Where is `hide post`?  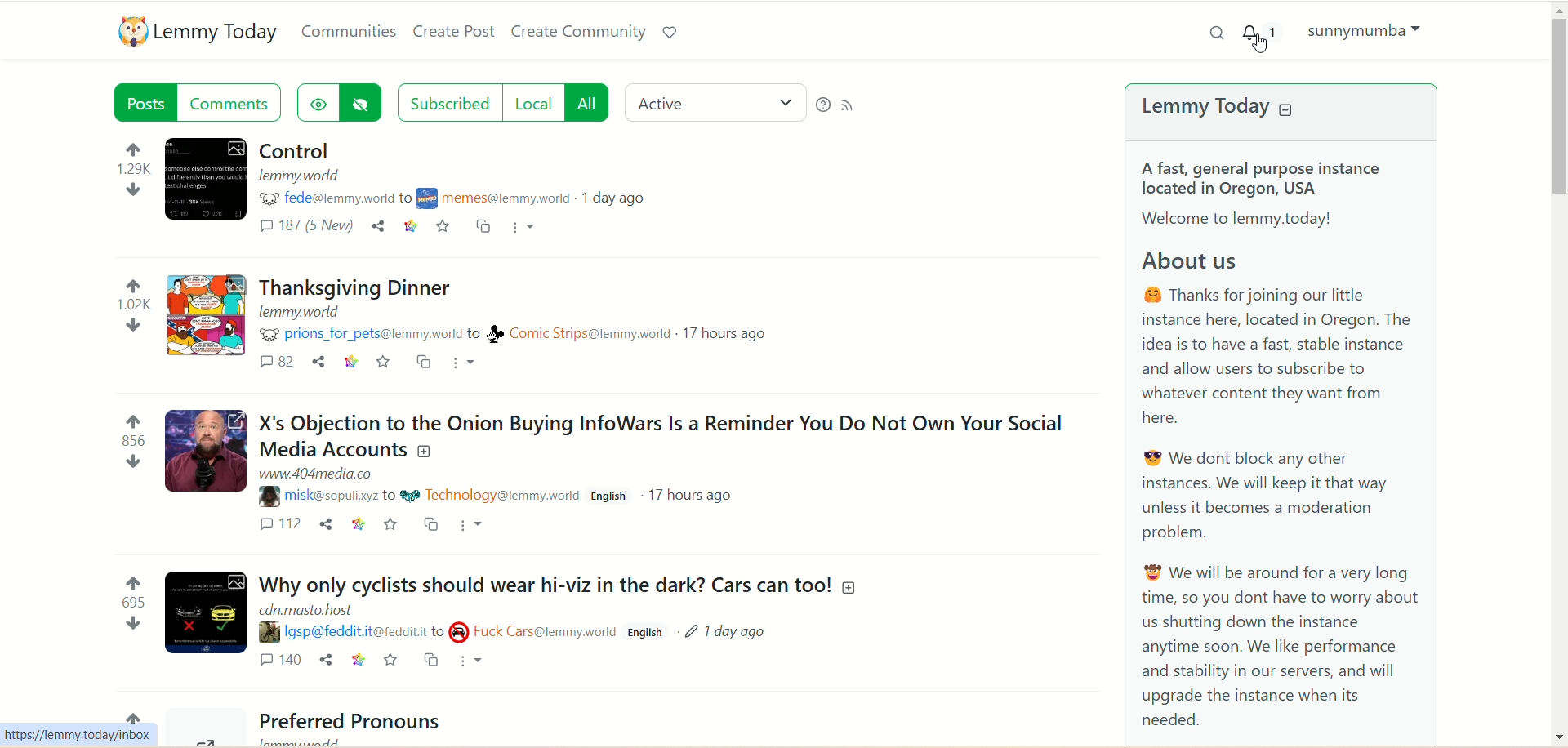
hide post is located at coordinates (363, 105).